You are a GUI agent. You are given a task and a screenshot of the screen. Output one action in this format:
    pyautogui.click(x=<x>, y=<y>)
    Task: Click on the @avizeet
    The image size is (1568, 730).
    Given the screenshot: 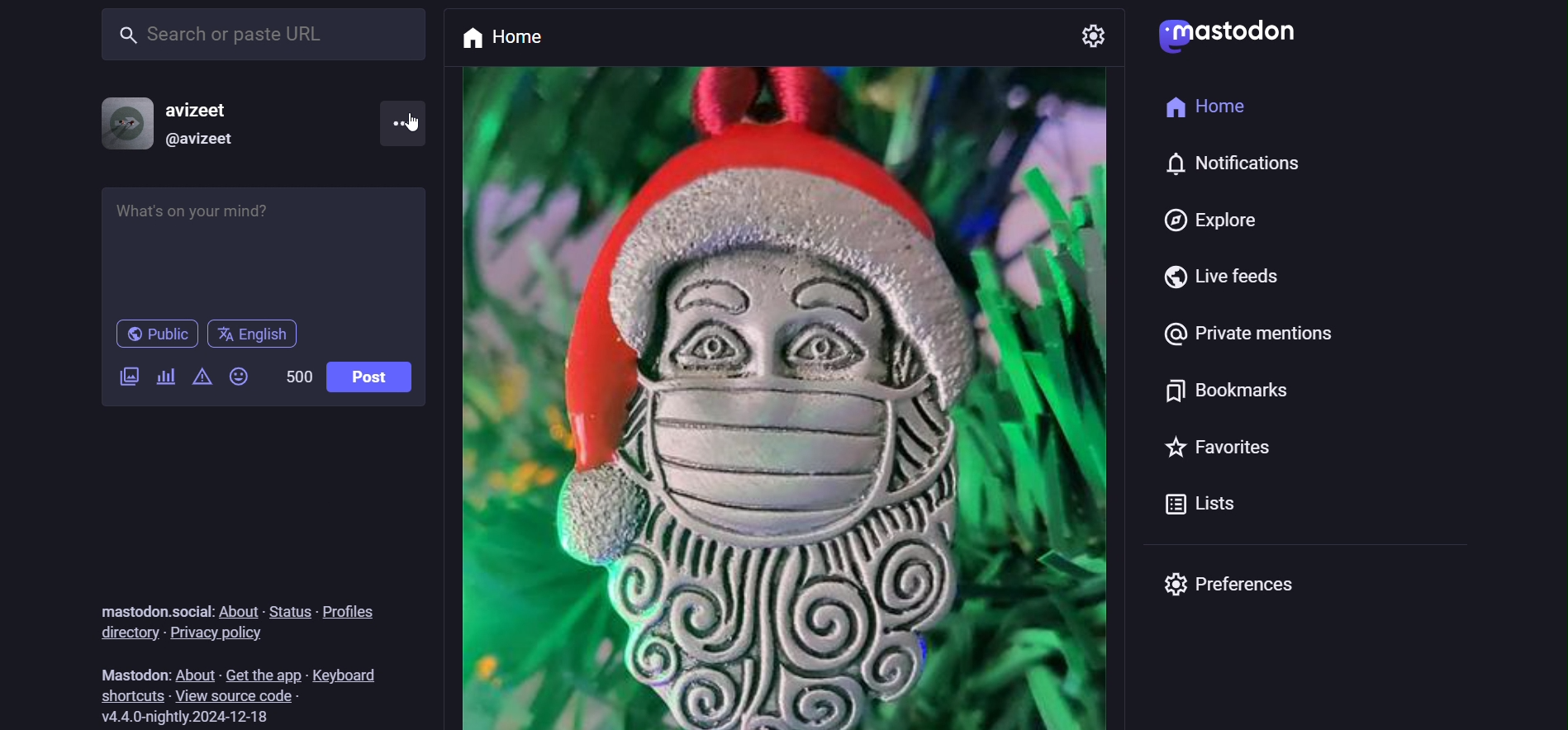 What is the action you would take?
    pyautogui.click(x=207, y=142)
    